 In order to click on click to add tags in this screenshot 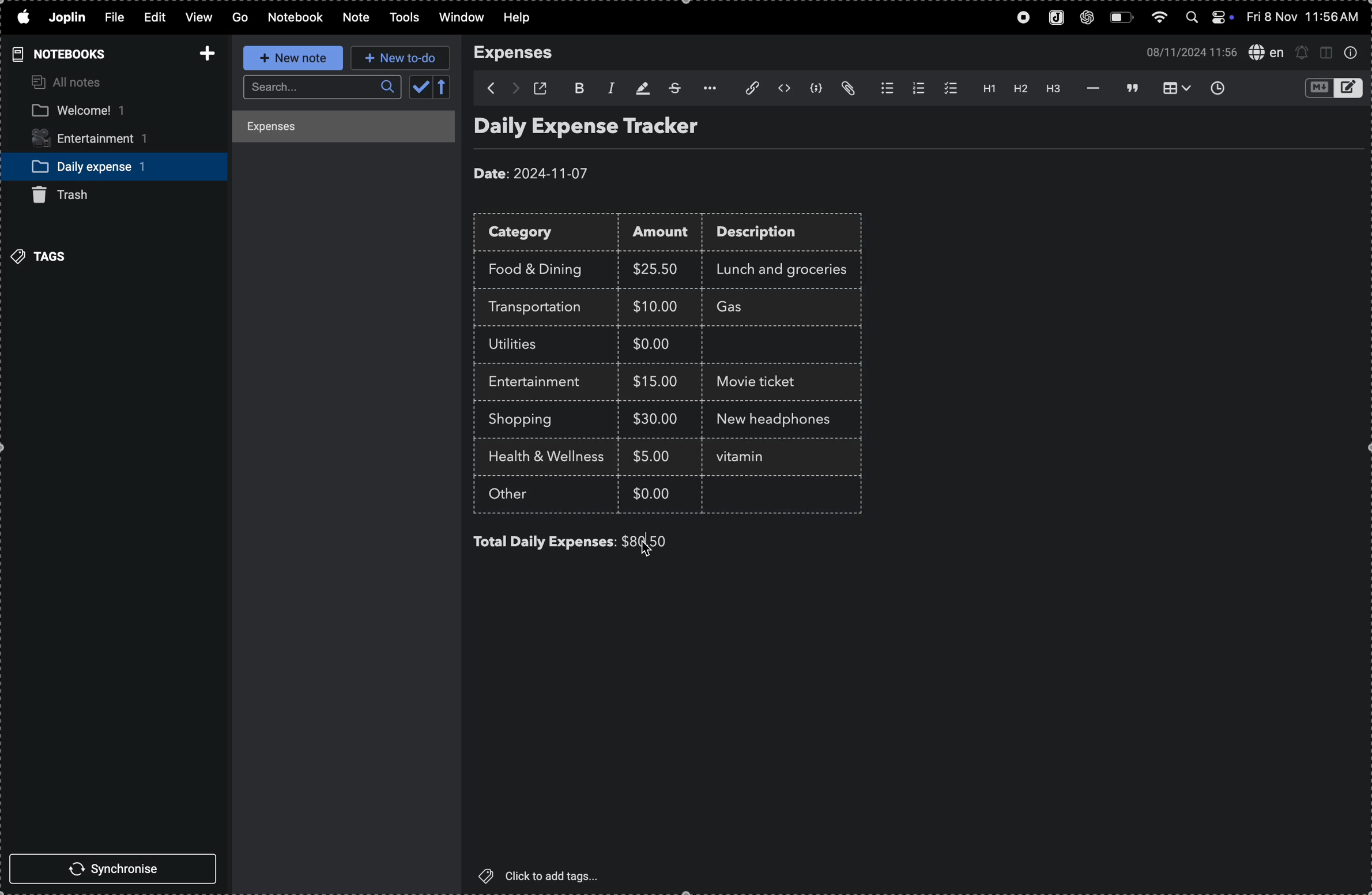, I will do `click(546, 875)`.